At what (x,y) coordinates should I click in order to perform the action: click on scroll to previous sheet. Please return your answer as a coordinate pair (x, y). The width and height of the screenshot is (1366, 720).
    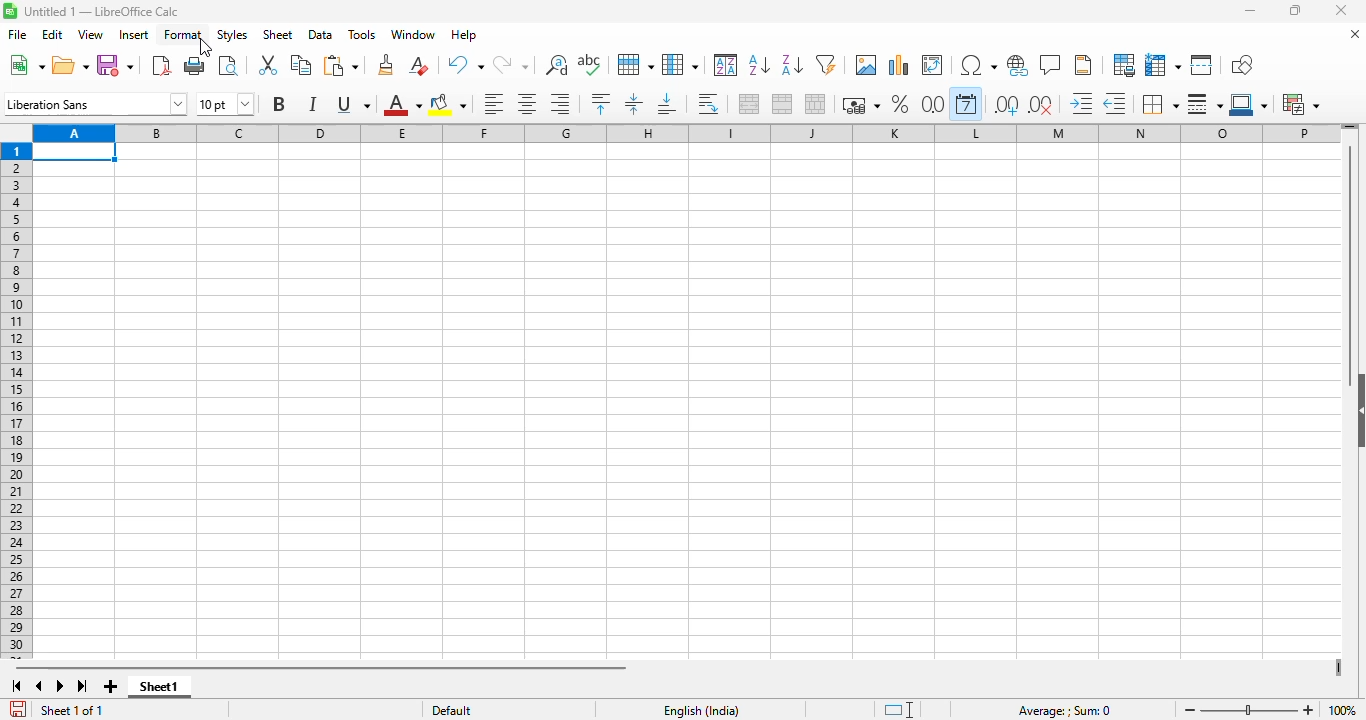
    Looking at the image, I should click on (40, 686).